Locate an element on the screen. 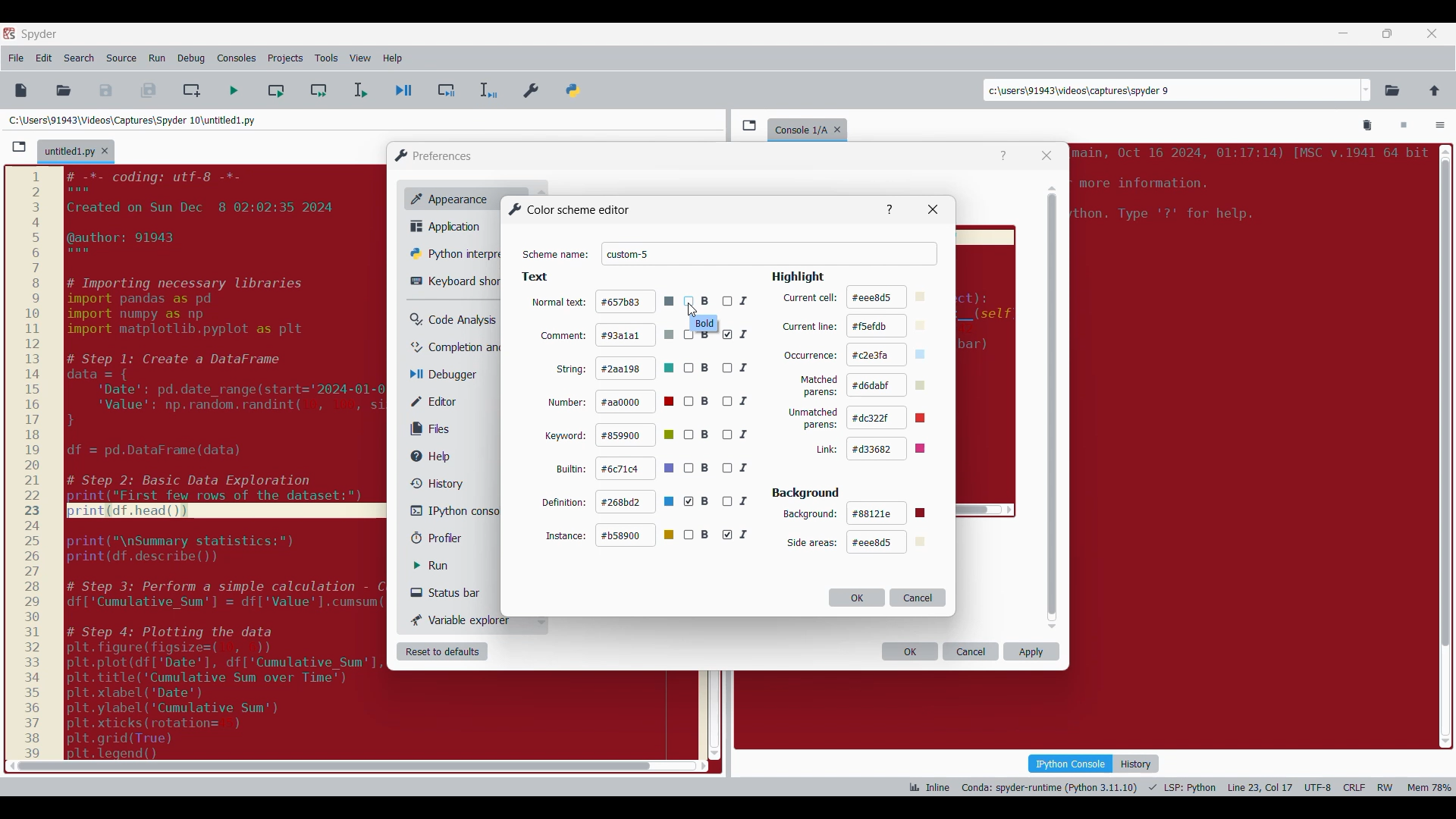 The image size is (1456, 819). I is located at coordinates (741, 435).